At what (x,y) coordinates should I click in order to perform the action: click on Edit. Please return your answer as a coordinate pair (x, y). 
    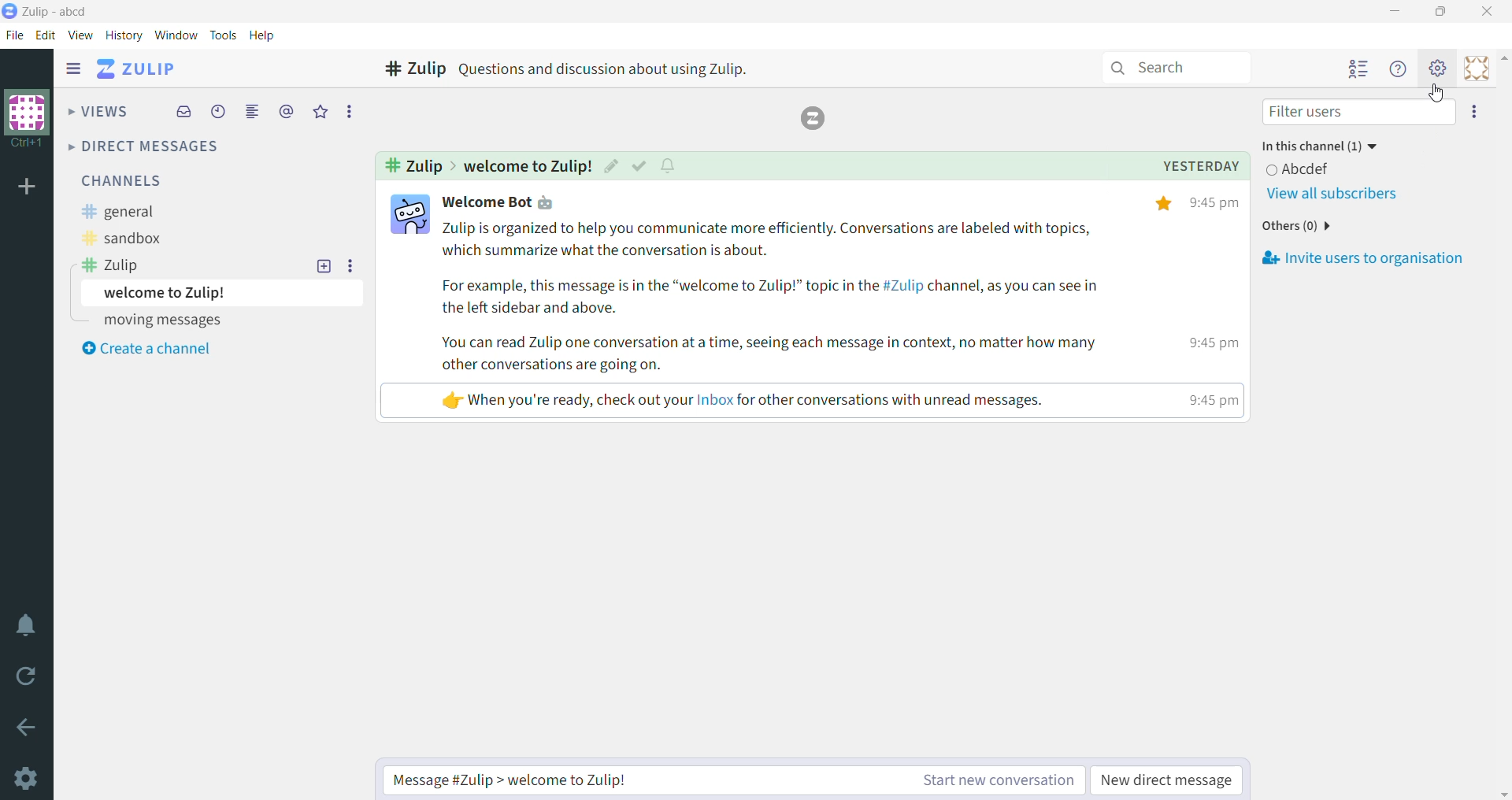
    Looking at the image, I should click on (46, 35).